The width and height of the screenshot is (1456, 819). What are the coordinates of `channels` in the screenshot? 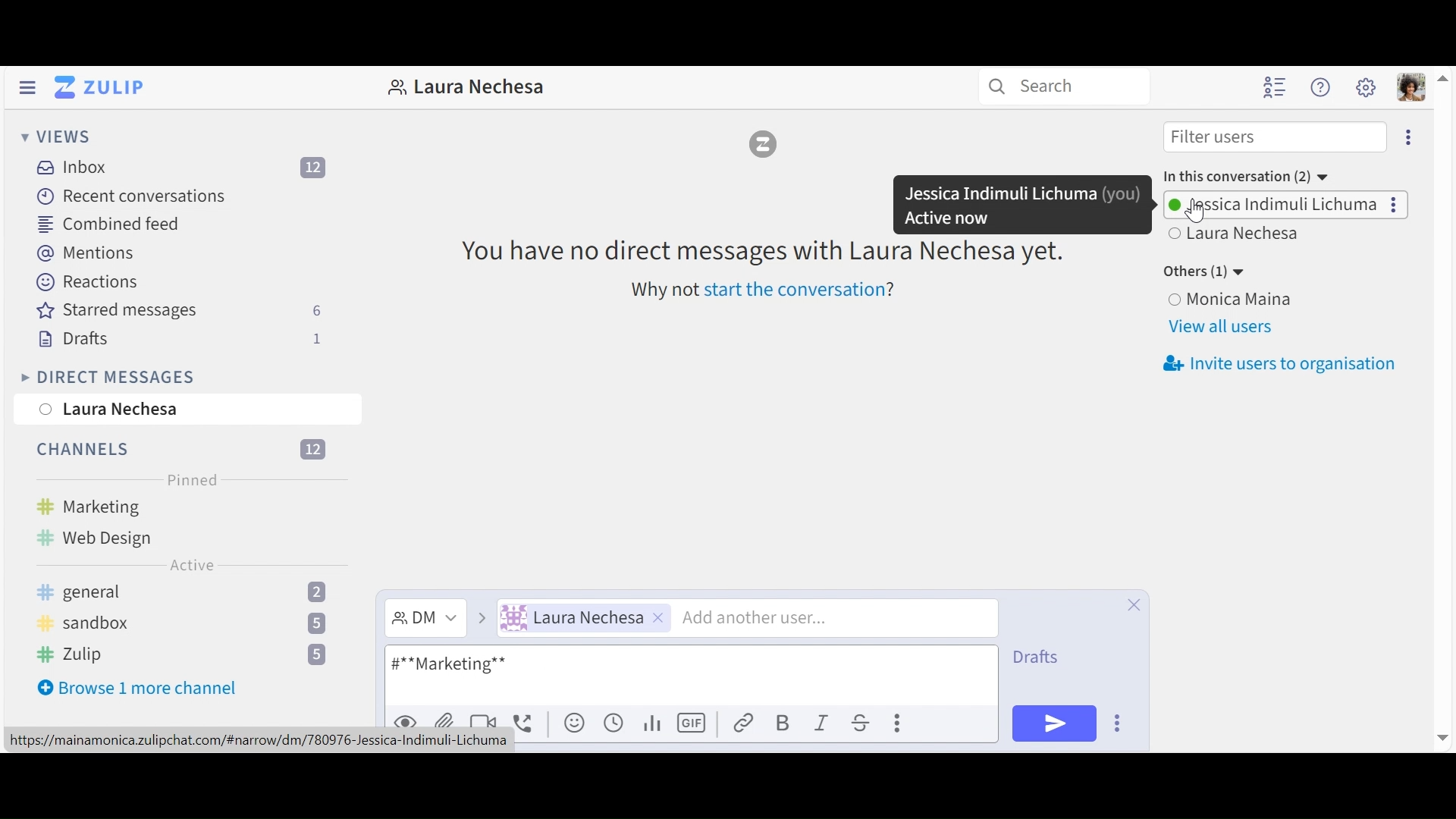 It's located at (176, 449).